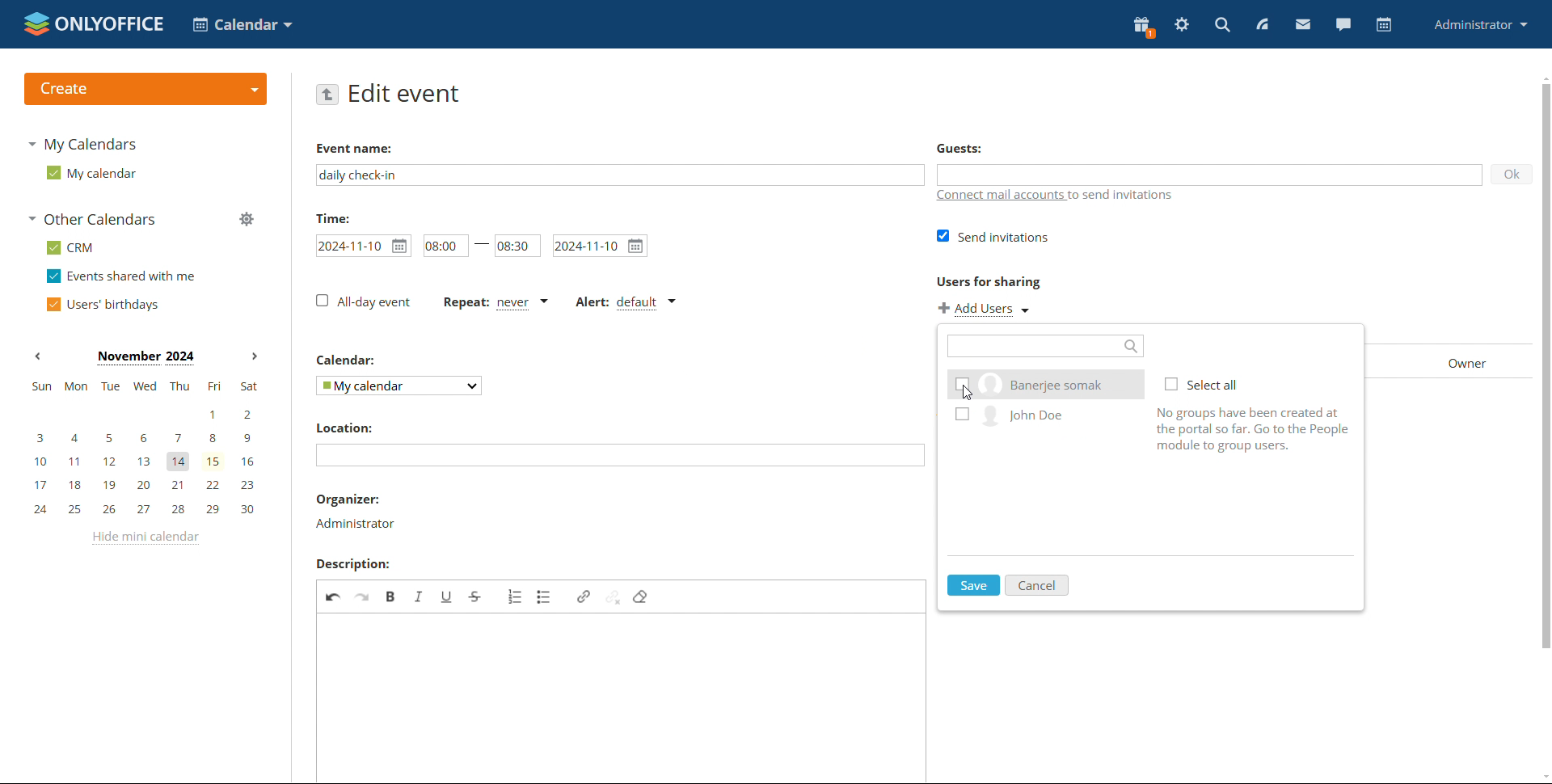 Image resolution: width=1552 pixels, height=784 pixels. What do you see at coordinates (144, 449) in the screenshot?
I see `mini calendar` at bounding box center [144, 449].